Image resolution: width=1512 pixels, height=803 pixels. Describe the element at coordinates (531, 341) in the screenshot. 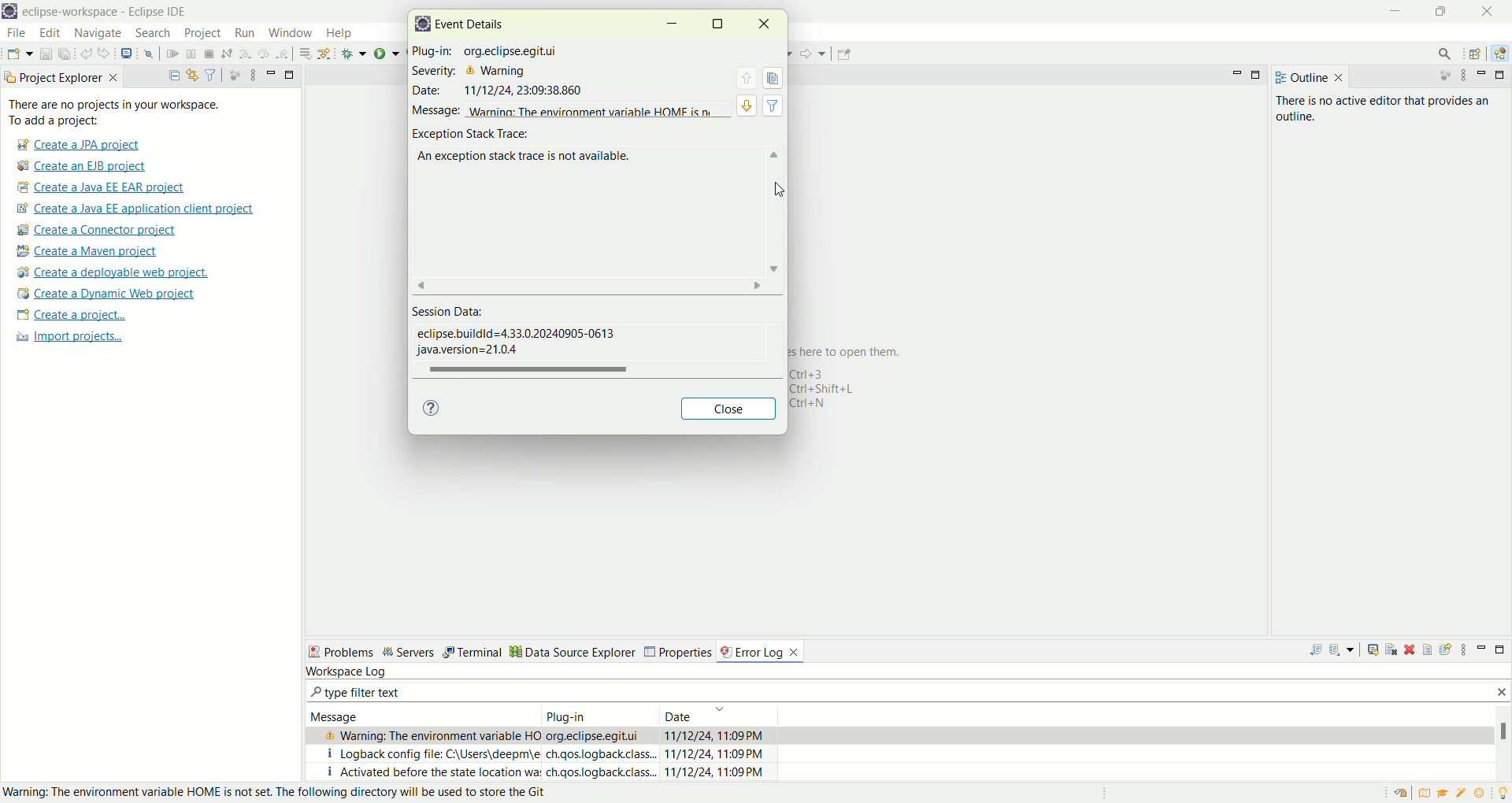

I see `eclipse.buildid=433.020240905-0613 java version=2104` at that location.